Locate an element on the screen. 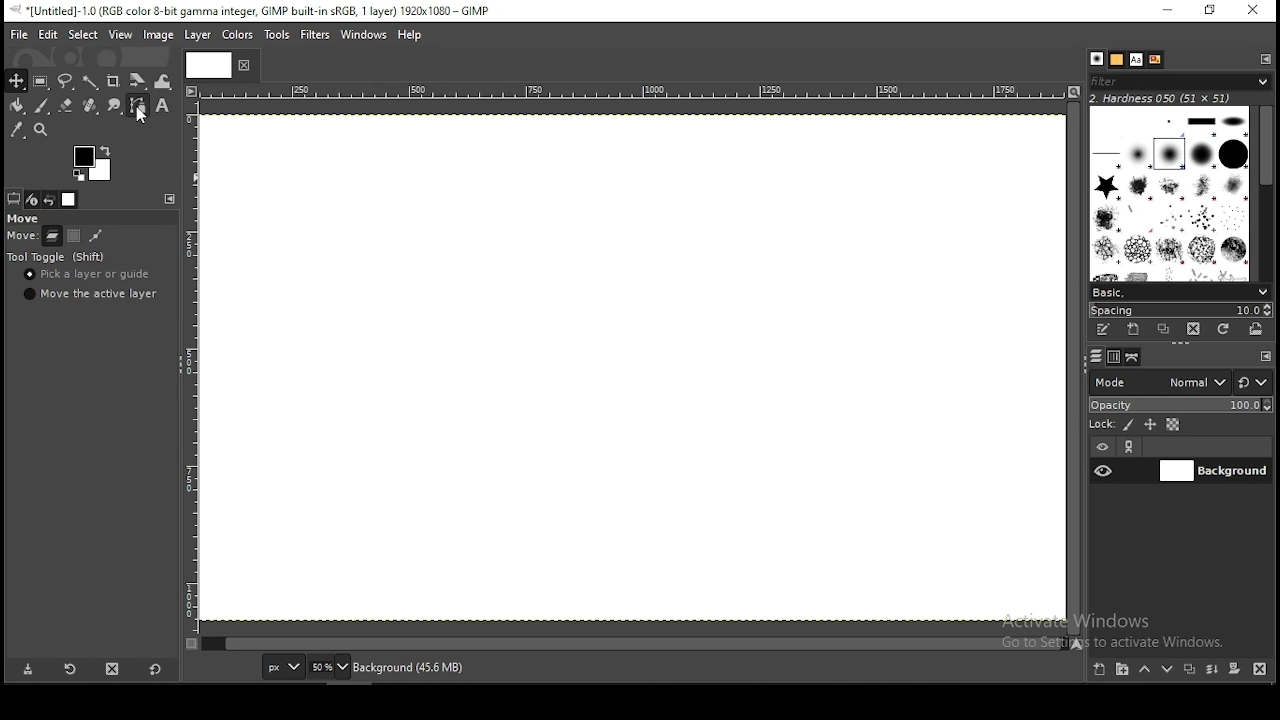  move path is located at coordinates (96, 236).